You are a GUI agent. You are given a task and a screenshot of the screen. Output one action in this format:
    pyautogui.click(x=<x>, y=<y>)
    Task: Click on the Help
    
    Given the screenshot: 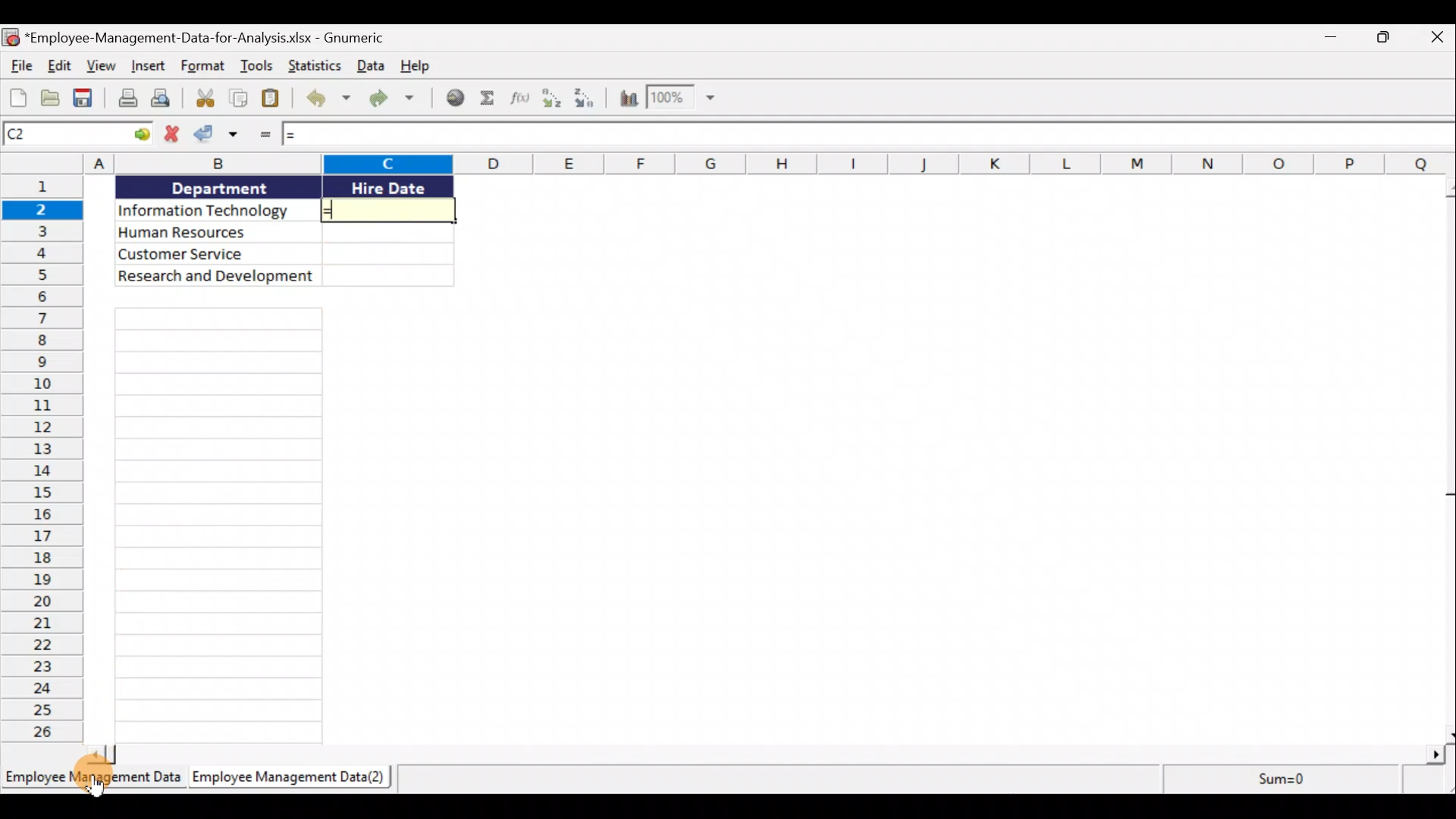 What is the action you would take?
    pyautogui.click(x=416, y=68)
    